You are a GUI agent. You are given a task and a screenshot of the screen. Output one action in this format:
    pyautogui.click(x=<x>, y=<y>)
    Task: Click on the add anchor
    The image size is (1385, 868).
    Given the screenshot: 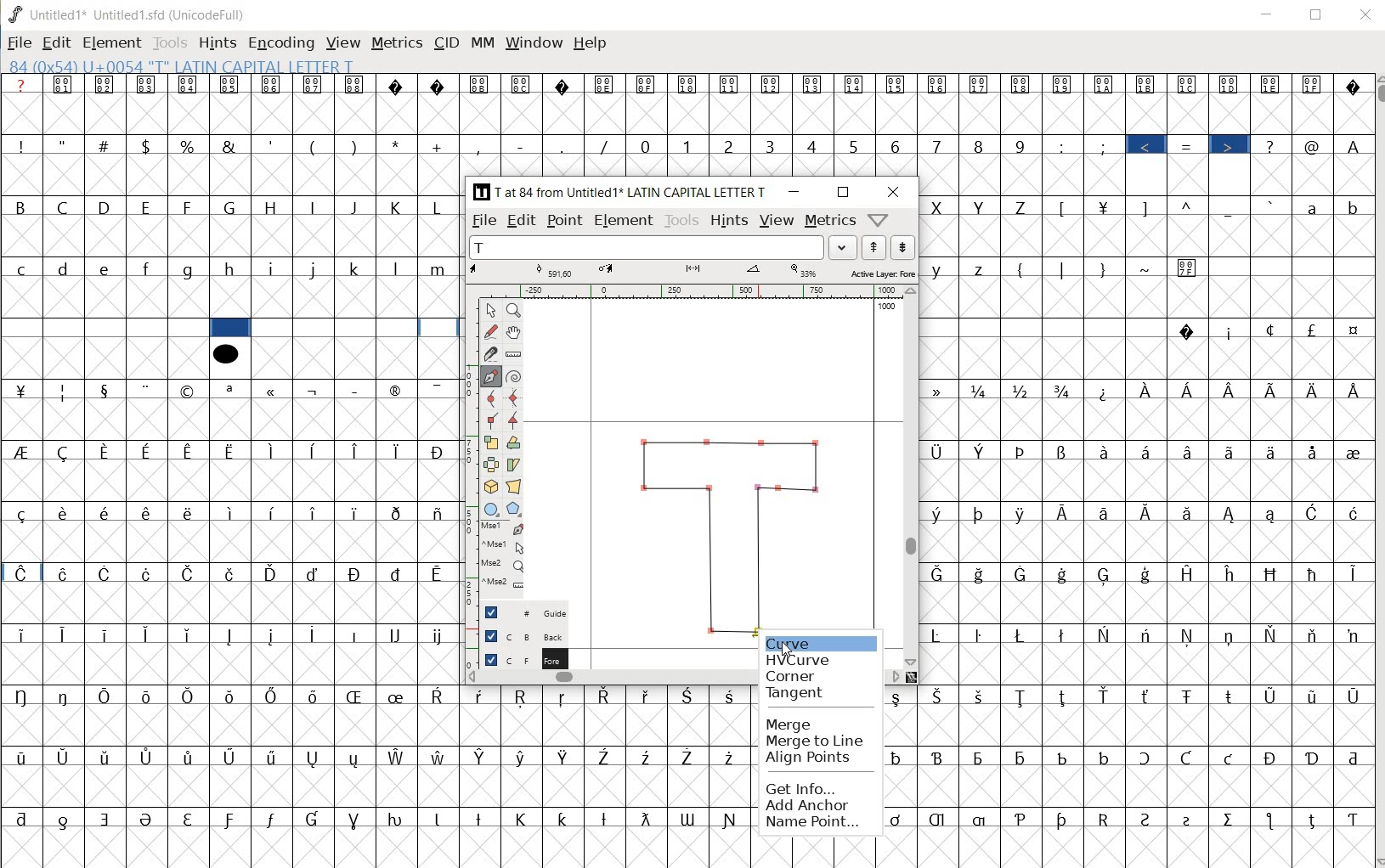 What is the action you would take?
    pyautogui.click(x=818, y=806)
    